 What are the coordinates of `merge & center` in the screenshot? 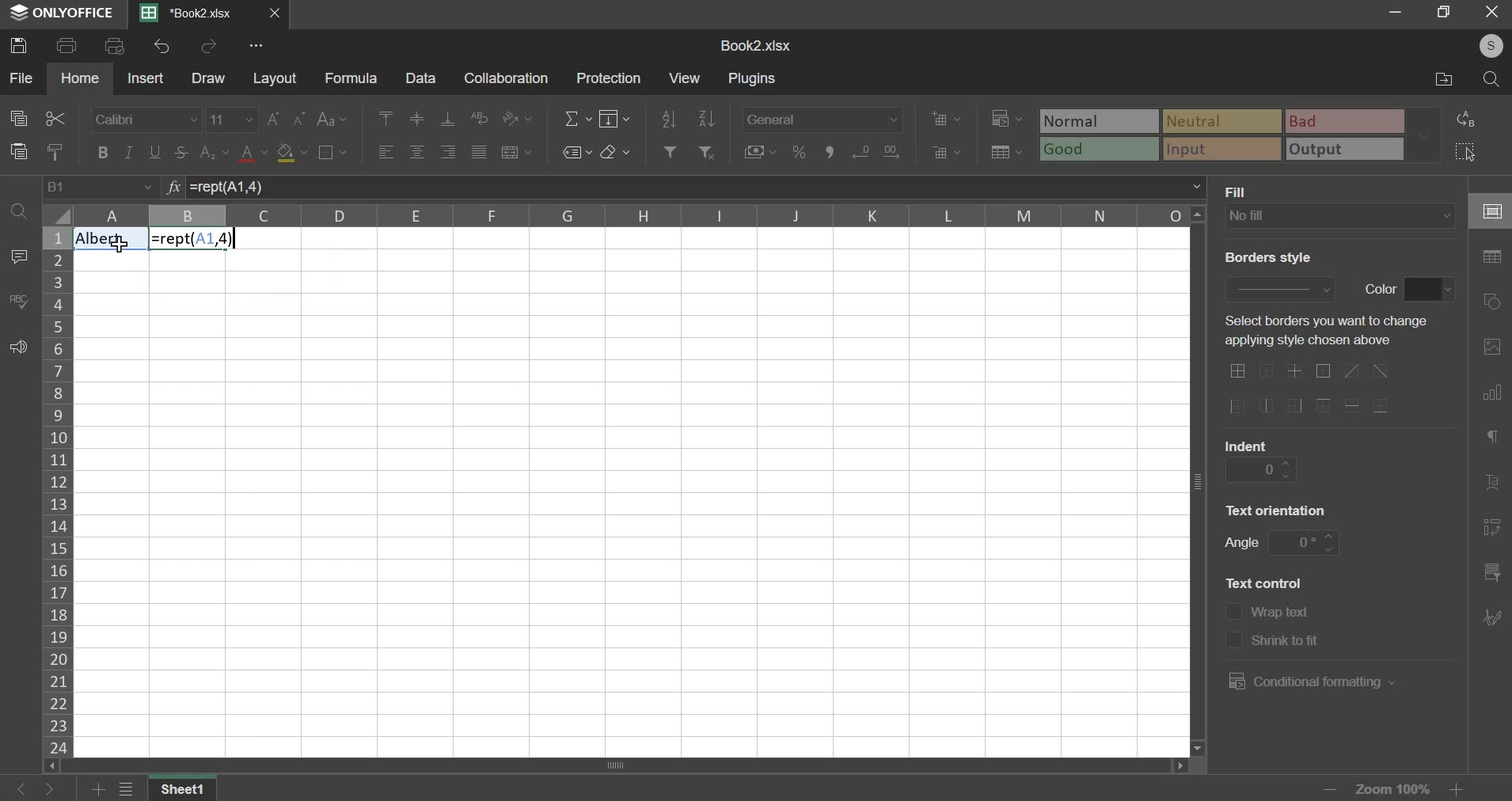 It's located at (515, 152).